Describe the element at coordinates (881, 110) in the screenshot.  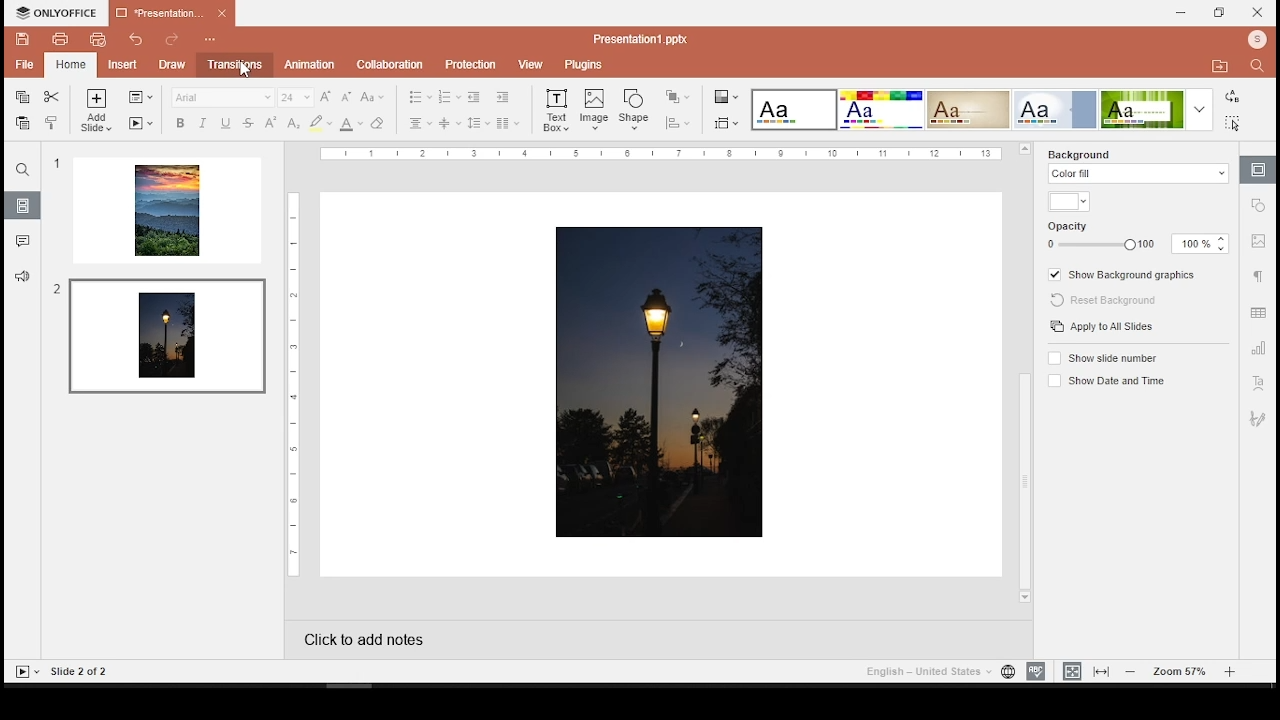
I see `slide style` at that location.